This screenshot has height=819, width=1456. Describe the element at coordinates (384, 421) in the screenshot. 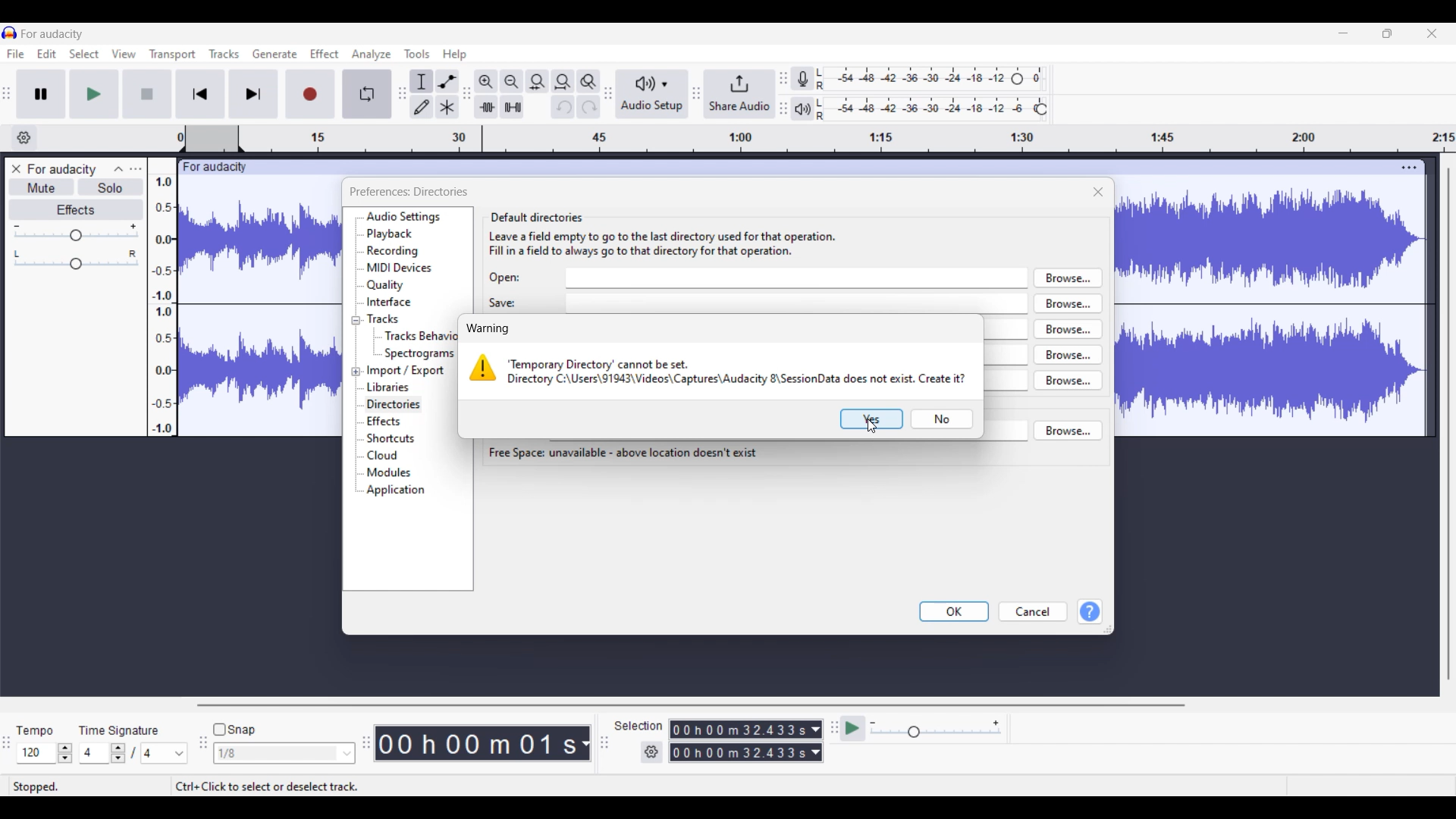

I see `Effects` at that location.